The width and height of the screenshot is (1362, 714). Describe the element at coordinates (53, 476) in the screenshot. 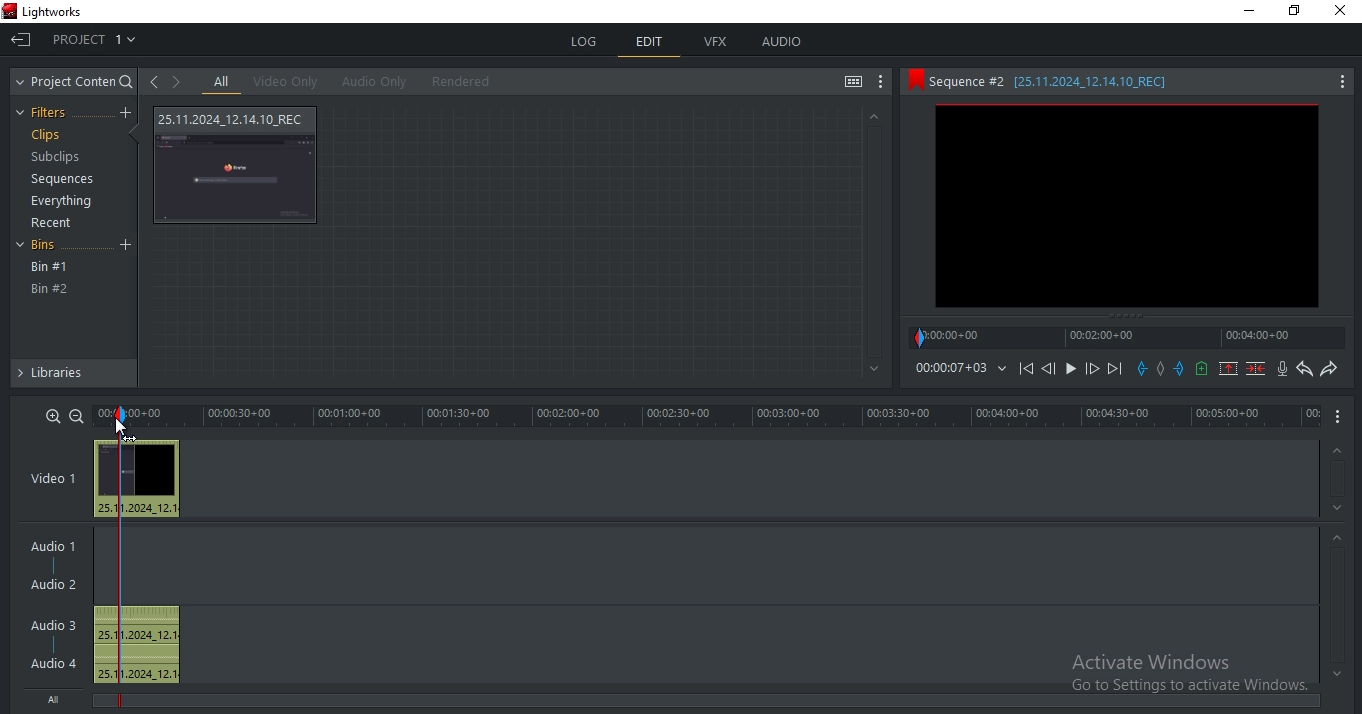

I see `video 1` at that location.